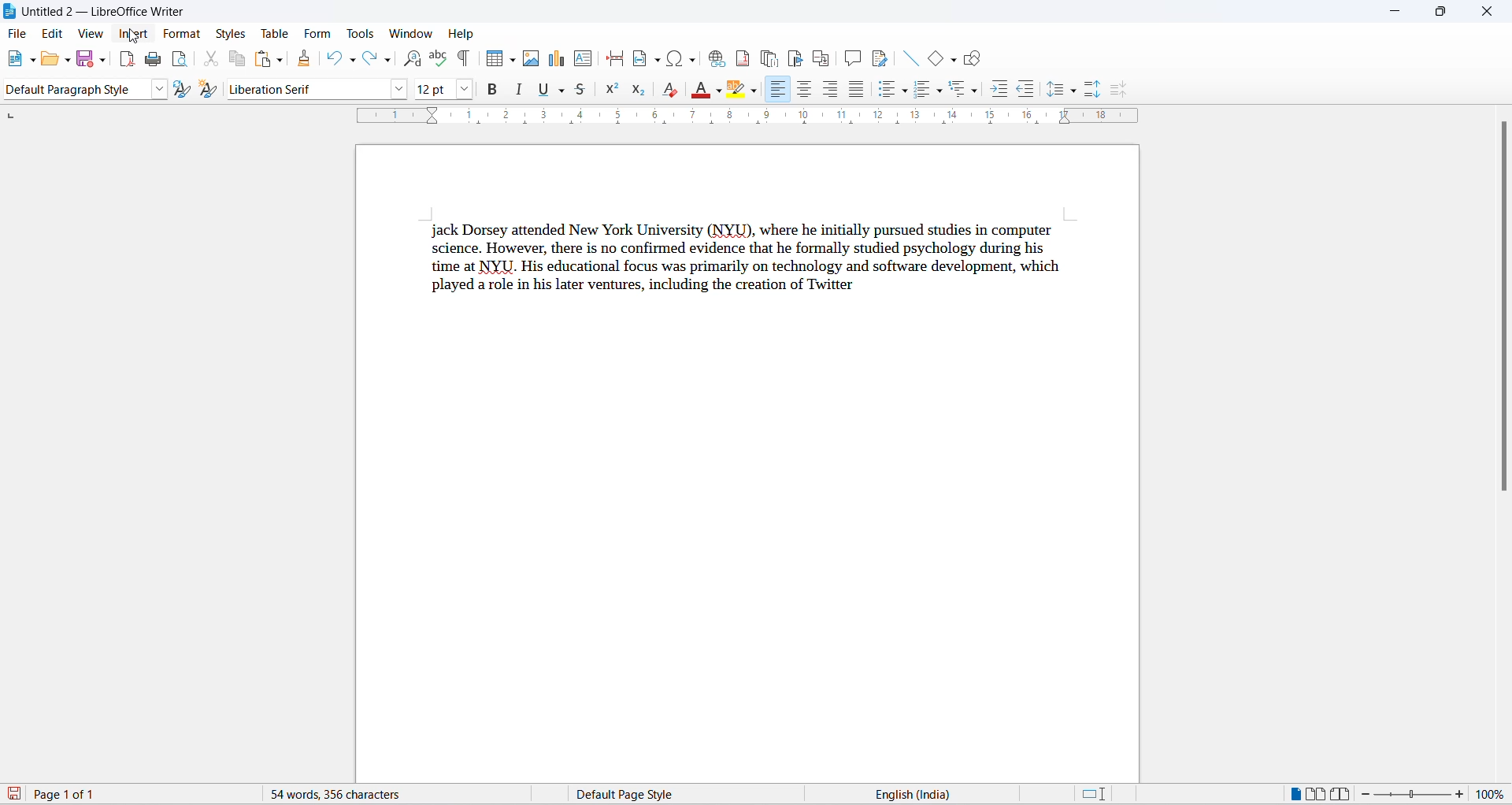 This screenshot has height=805, width=1512. What do you see at coordinates (135, 37) in the screenshot?
I see `cursor` at bounding box center [135, 37].